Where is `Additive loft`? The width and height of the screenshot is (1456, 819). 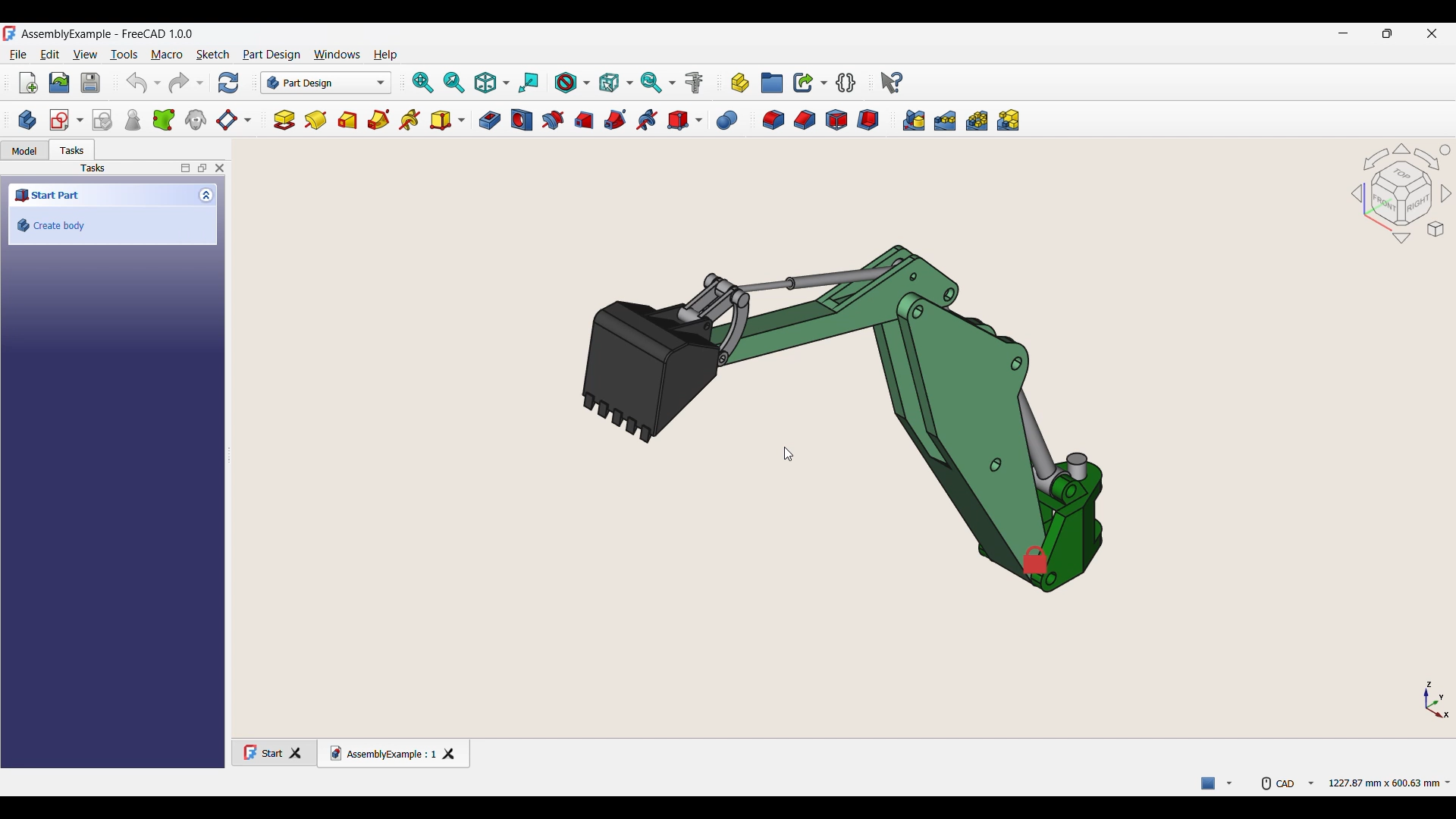
Additive loft is located at coordinates (348, 120).